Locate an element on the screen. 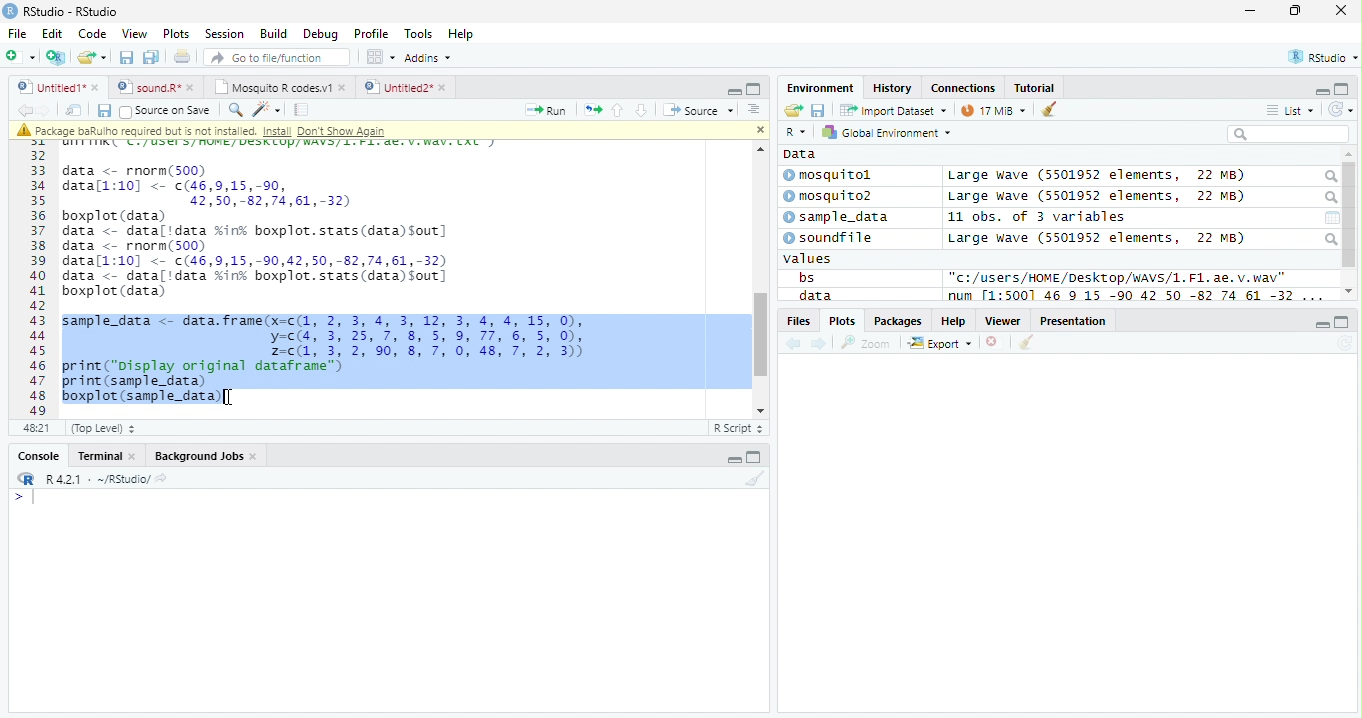 This screenshot has width=1362, height=718. Calendar is located at coordinates (1332, 218).